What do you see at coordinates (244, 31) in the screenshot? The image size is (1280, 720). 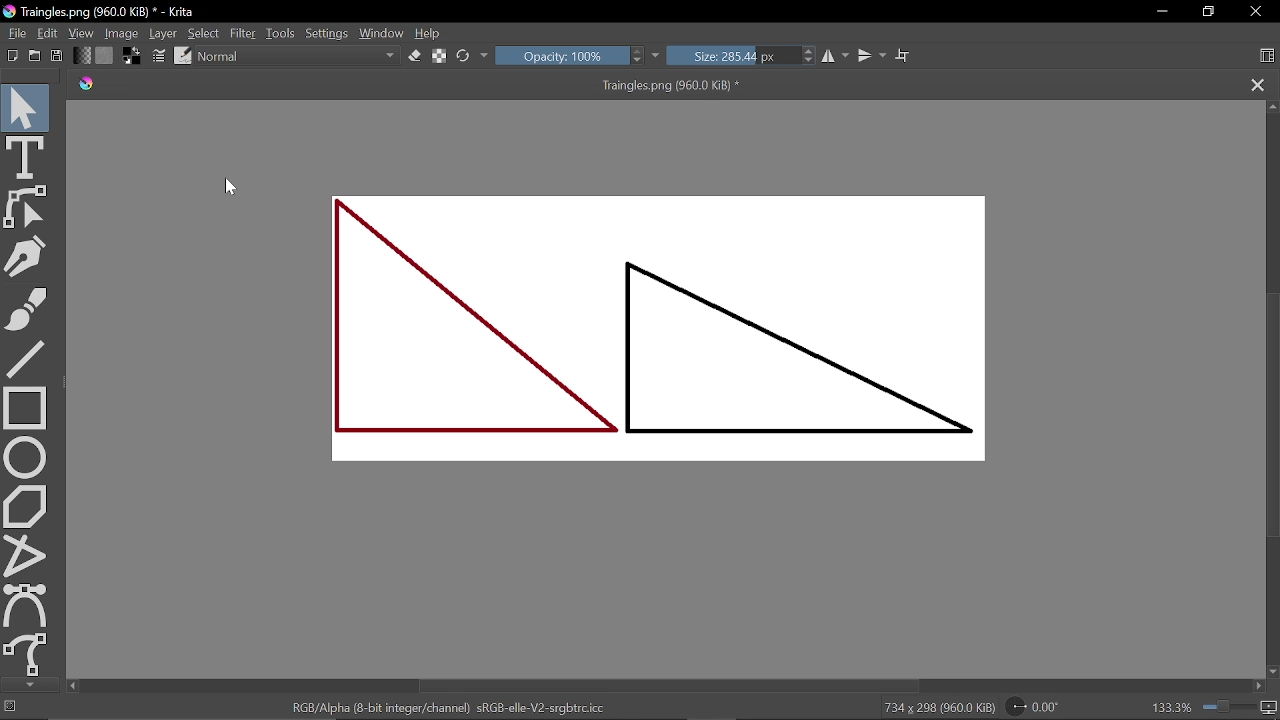 I see `Filter` at bounding box center [244, 31].